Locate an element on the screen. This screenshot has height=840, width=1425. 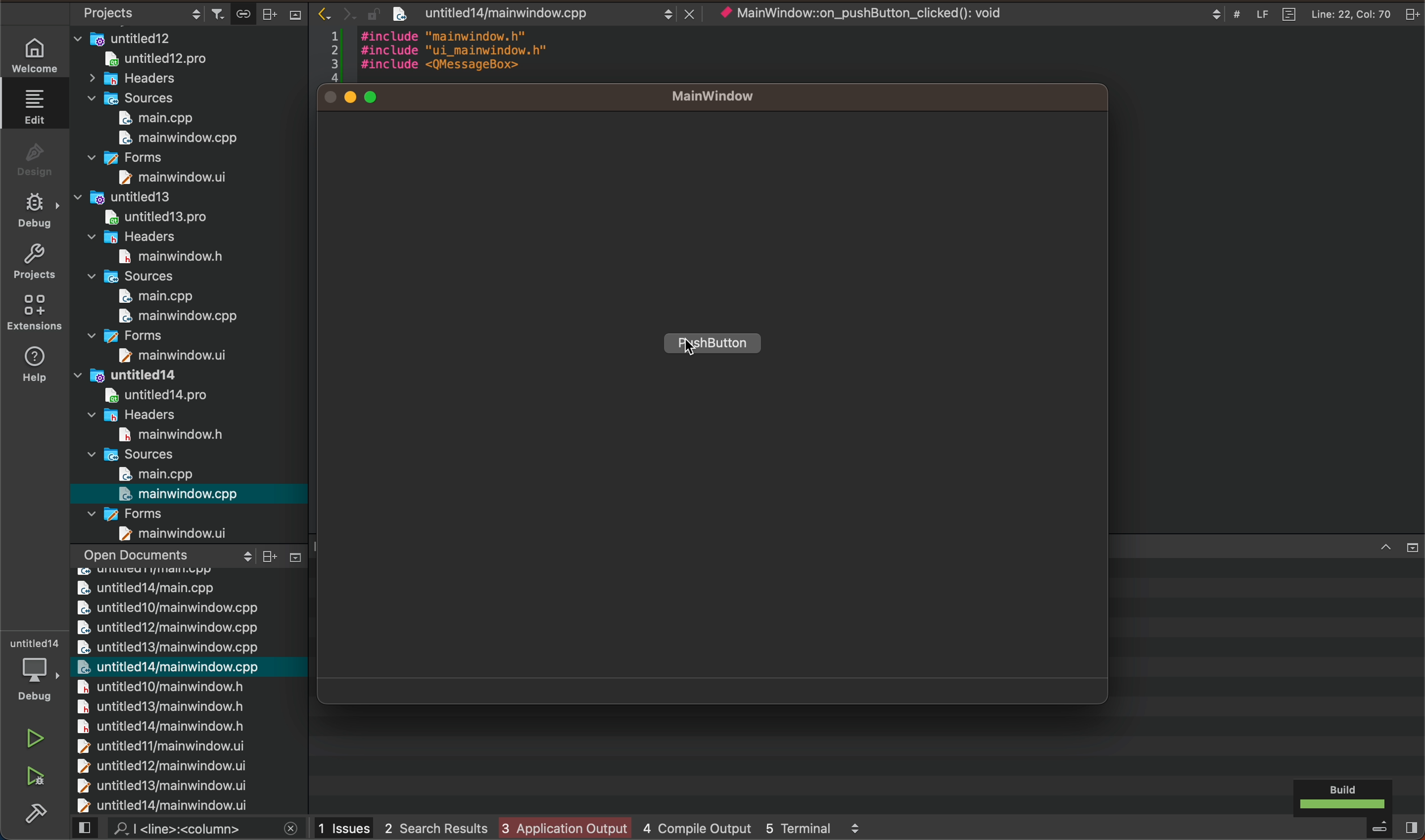
forms is located at coordinates (136, 512).